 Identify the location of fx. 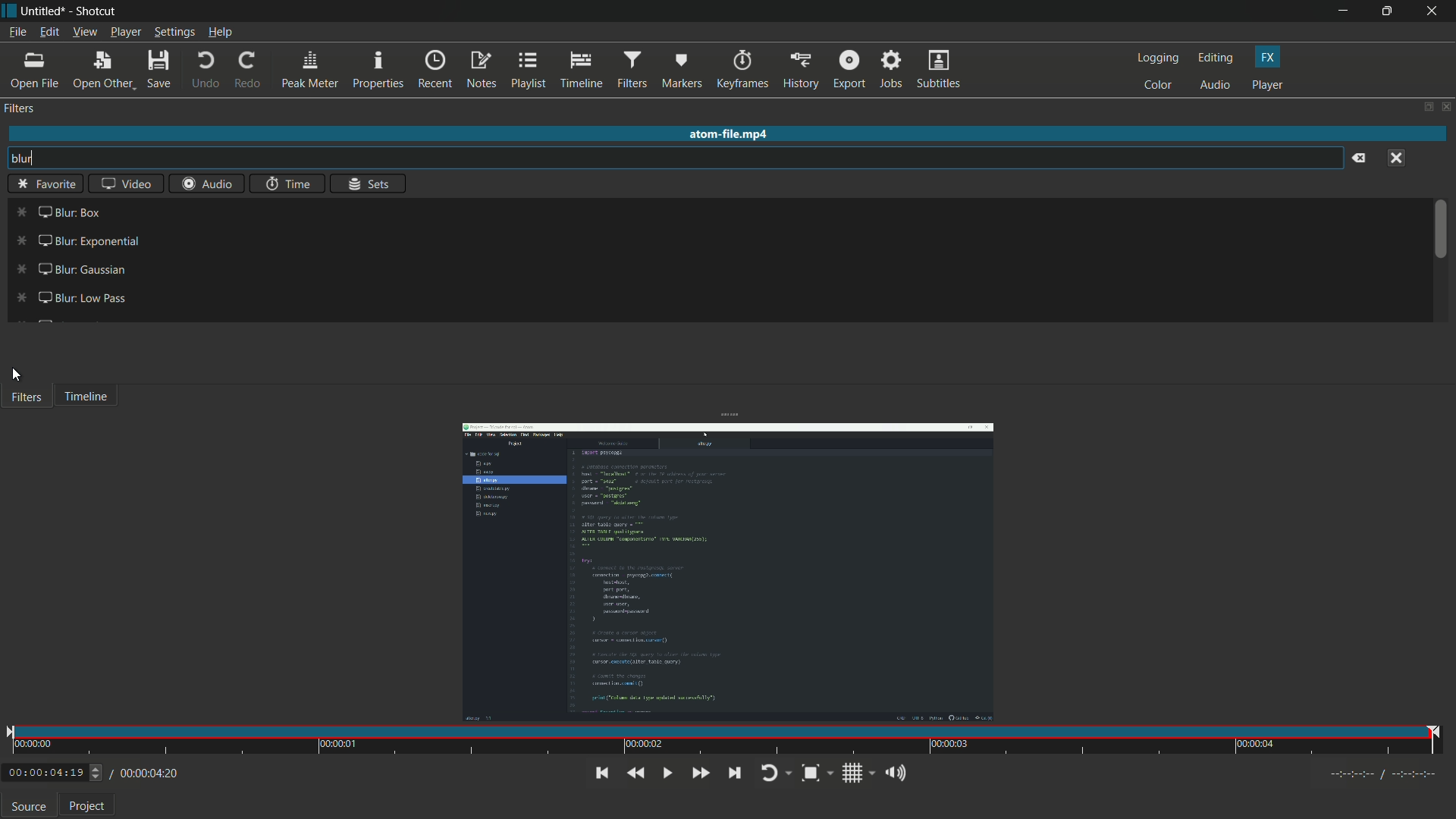
(1268, 58).